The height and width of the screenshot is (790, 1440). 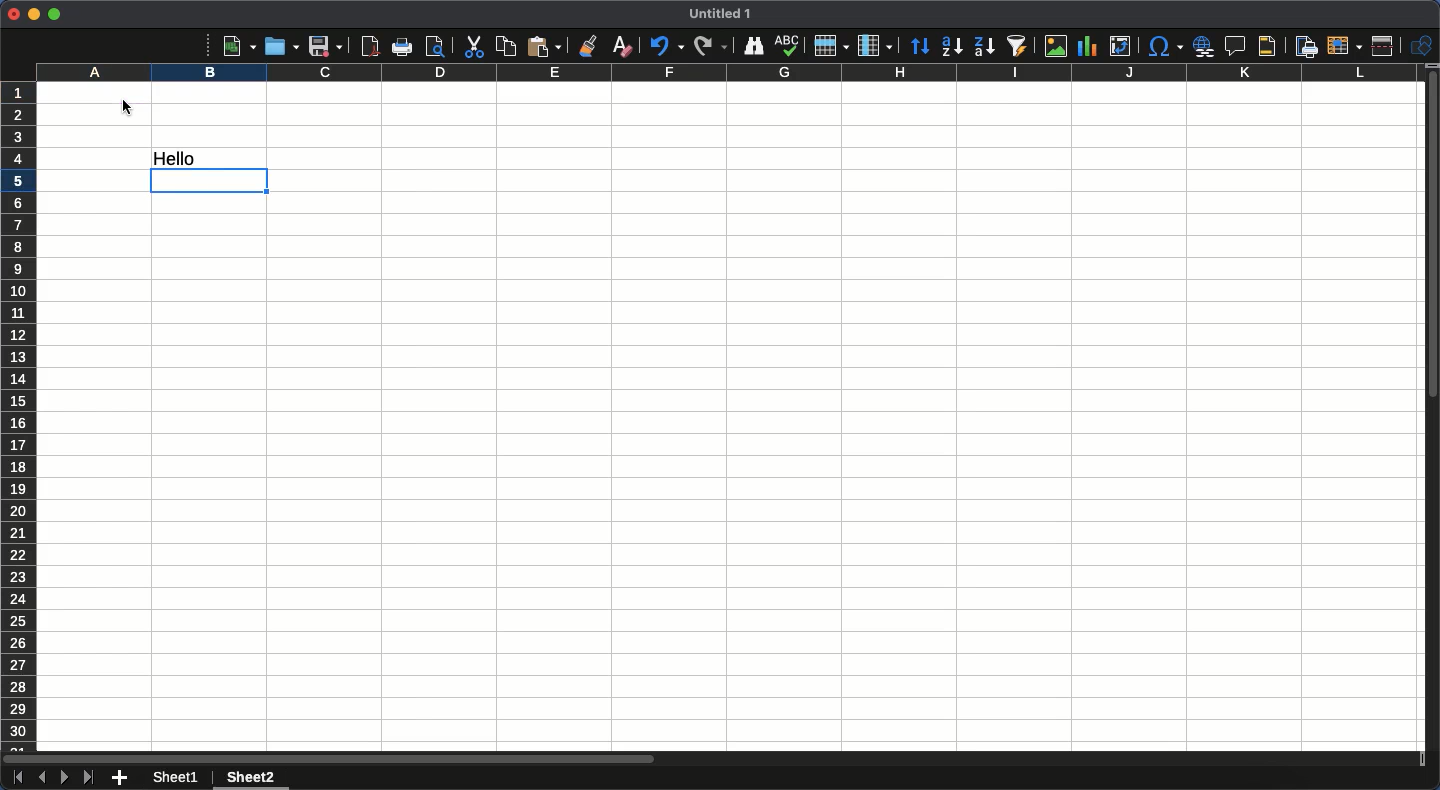 What do you see at coordinates (787, 46) in the screenshot?
I see `Spelling` at bounding box center [787, 46].